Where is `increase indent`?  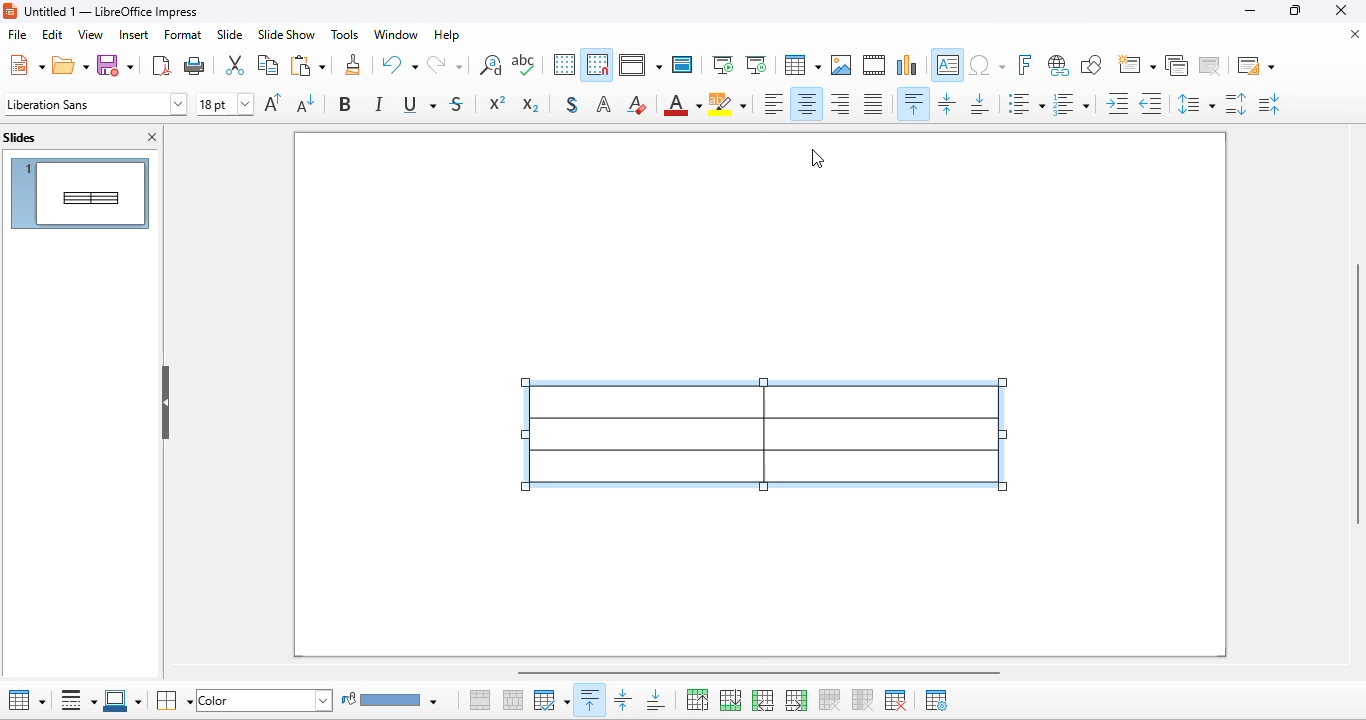
increase indent is located at coordinates (1118, 103).